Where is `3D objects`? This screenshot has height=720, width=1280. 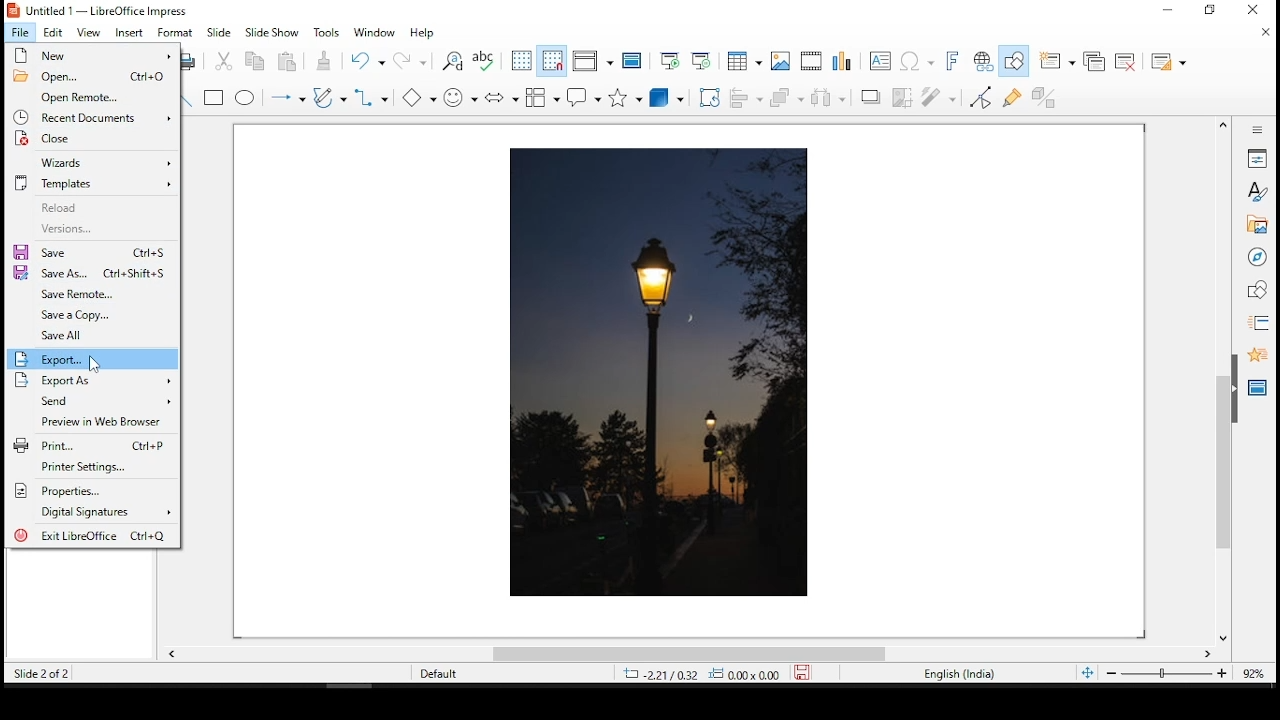 3D objects is located at coordinates (665, 99).